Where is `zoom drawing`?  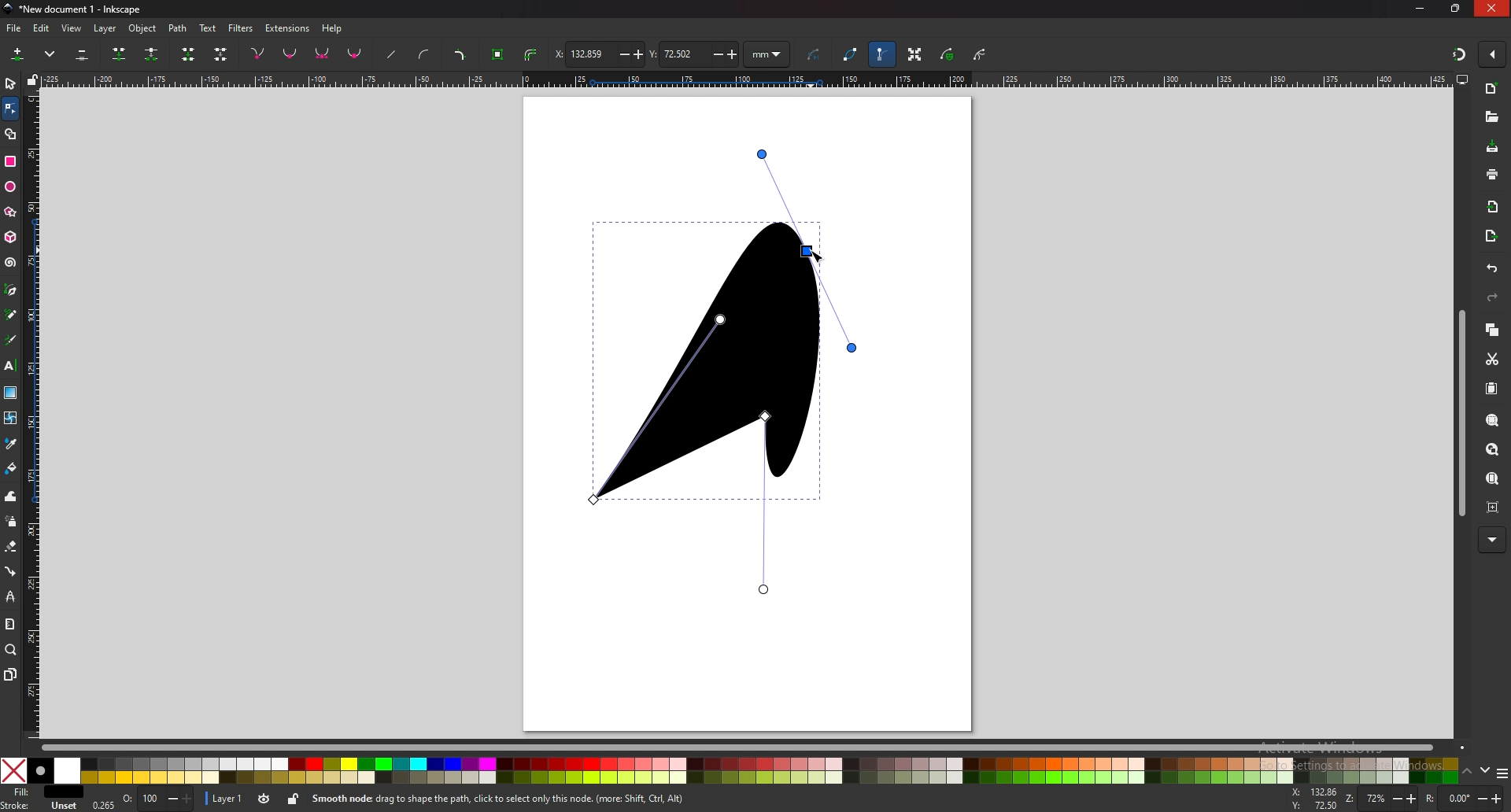
zoom drawing is located at coordinates (1494, 450).